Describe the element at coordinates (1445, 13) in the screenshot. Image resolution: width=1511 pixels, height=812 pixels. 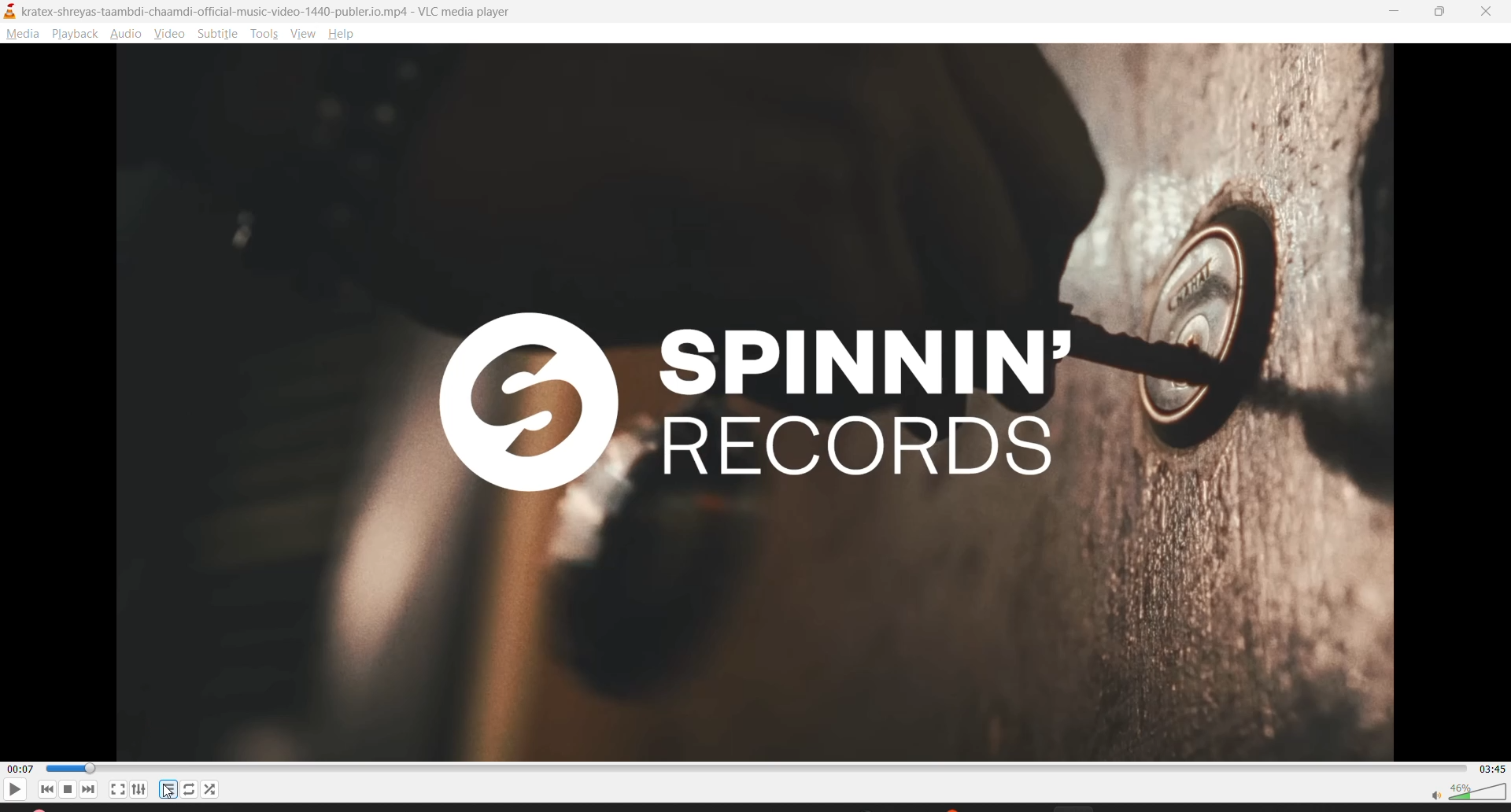
I see `maximize` at that location.